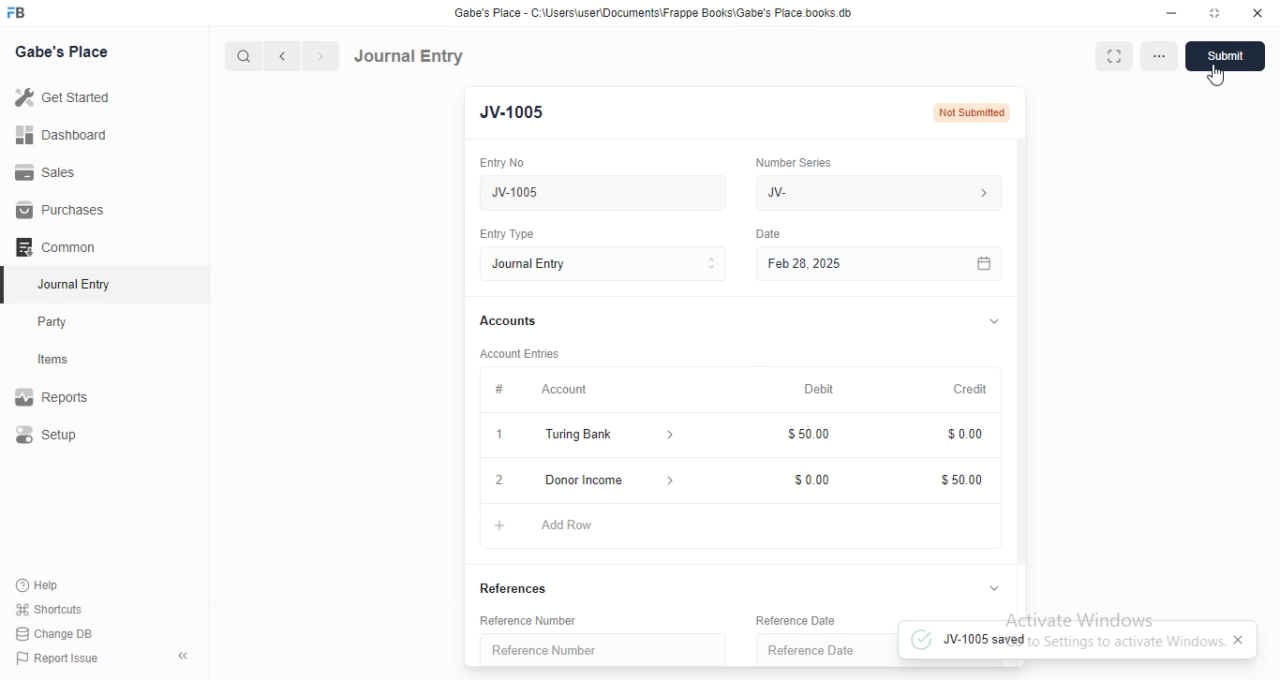  Describe the element at coordinates (995, 588) in the screenshot. I see `collapse` at that location.